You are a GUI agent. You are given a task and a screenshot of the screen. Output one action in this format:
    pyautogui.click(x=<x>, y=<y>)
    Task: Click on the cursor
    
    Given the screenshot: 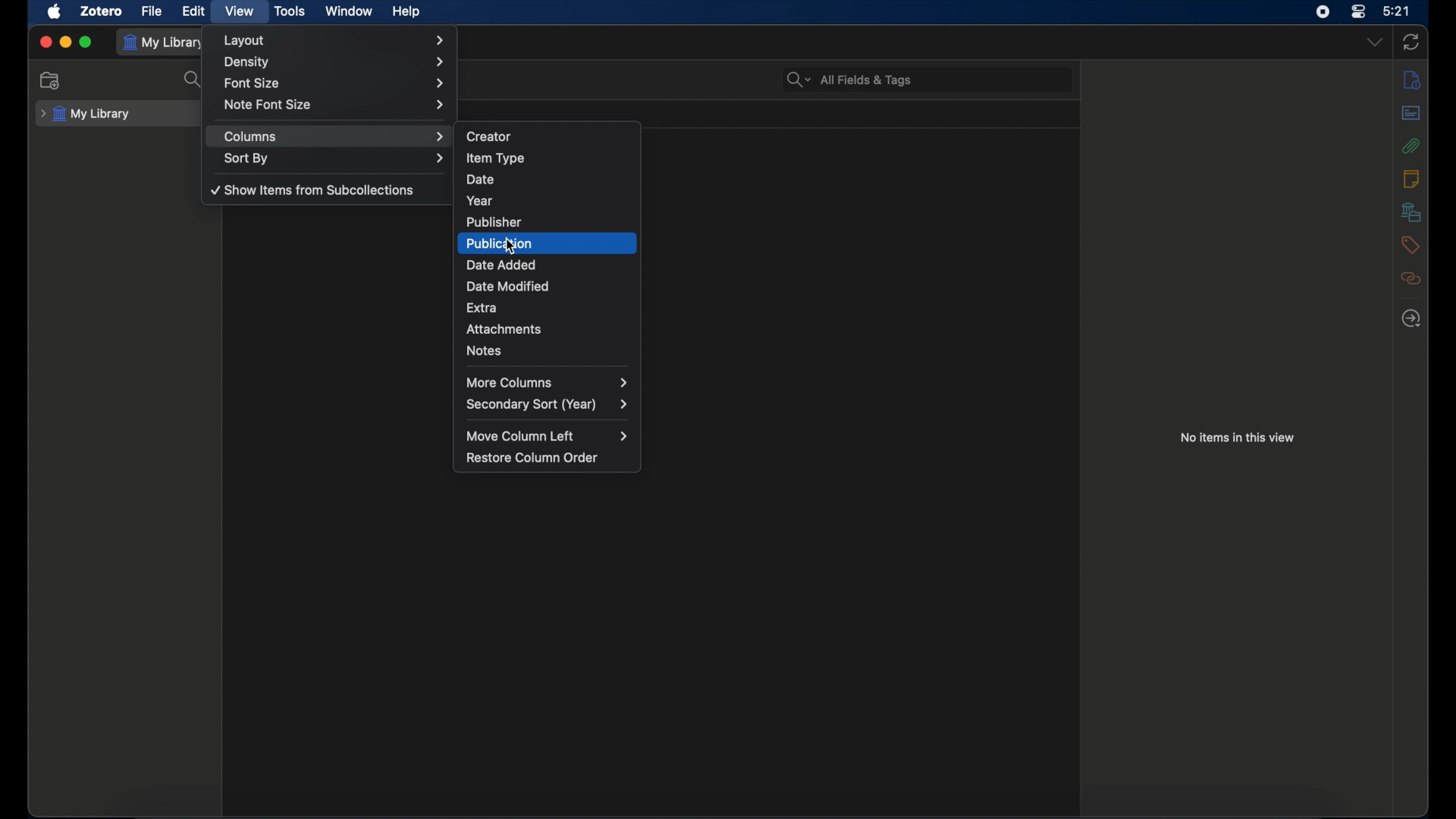 What is the action you would take?
    pyautogui.click(x=510, y=245)
    